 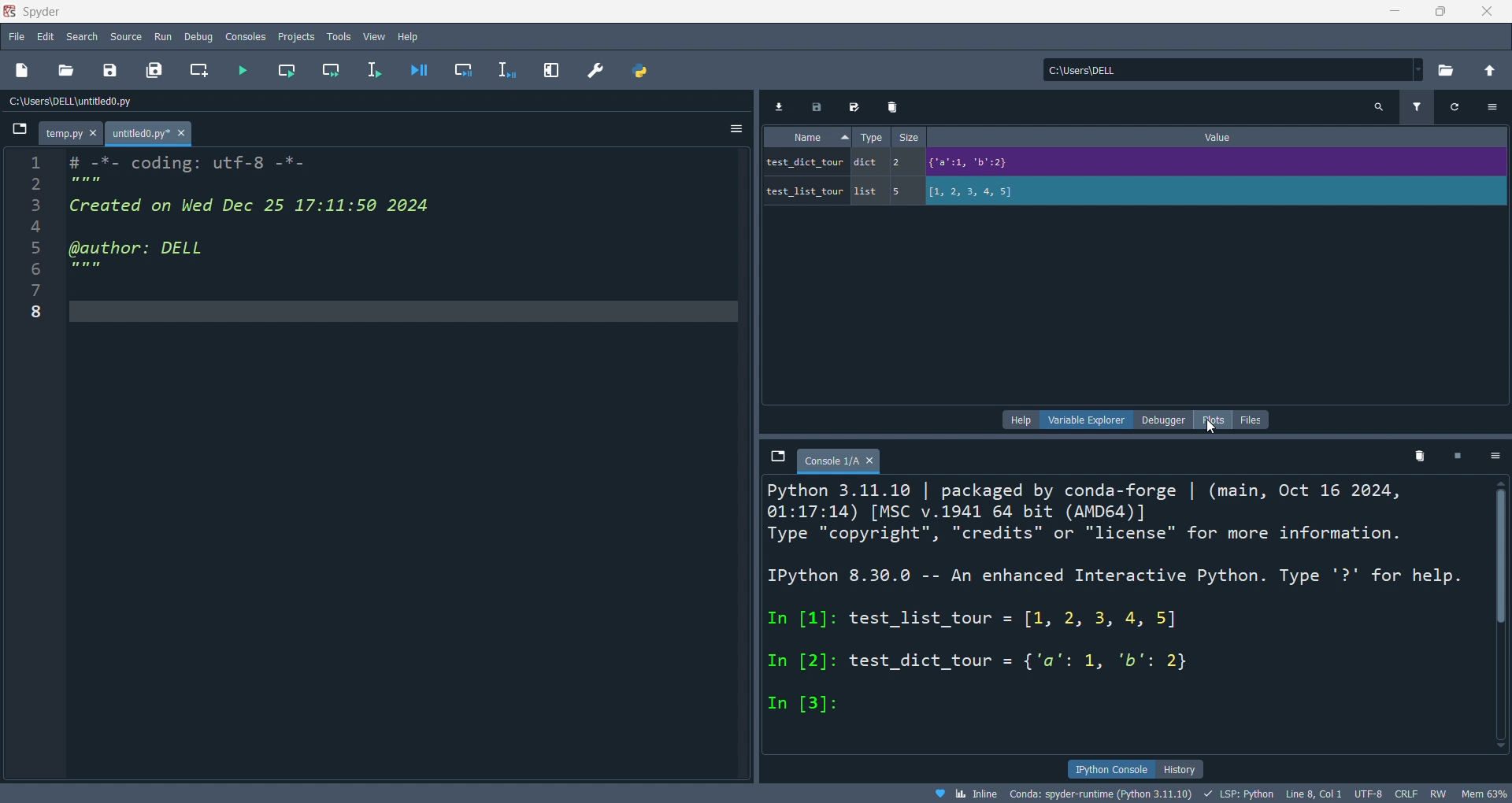 I want to click on import data, so click(x=778, y=106).